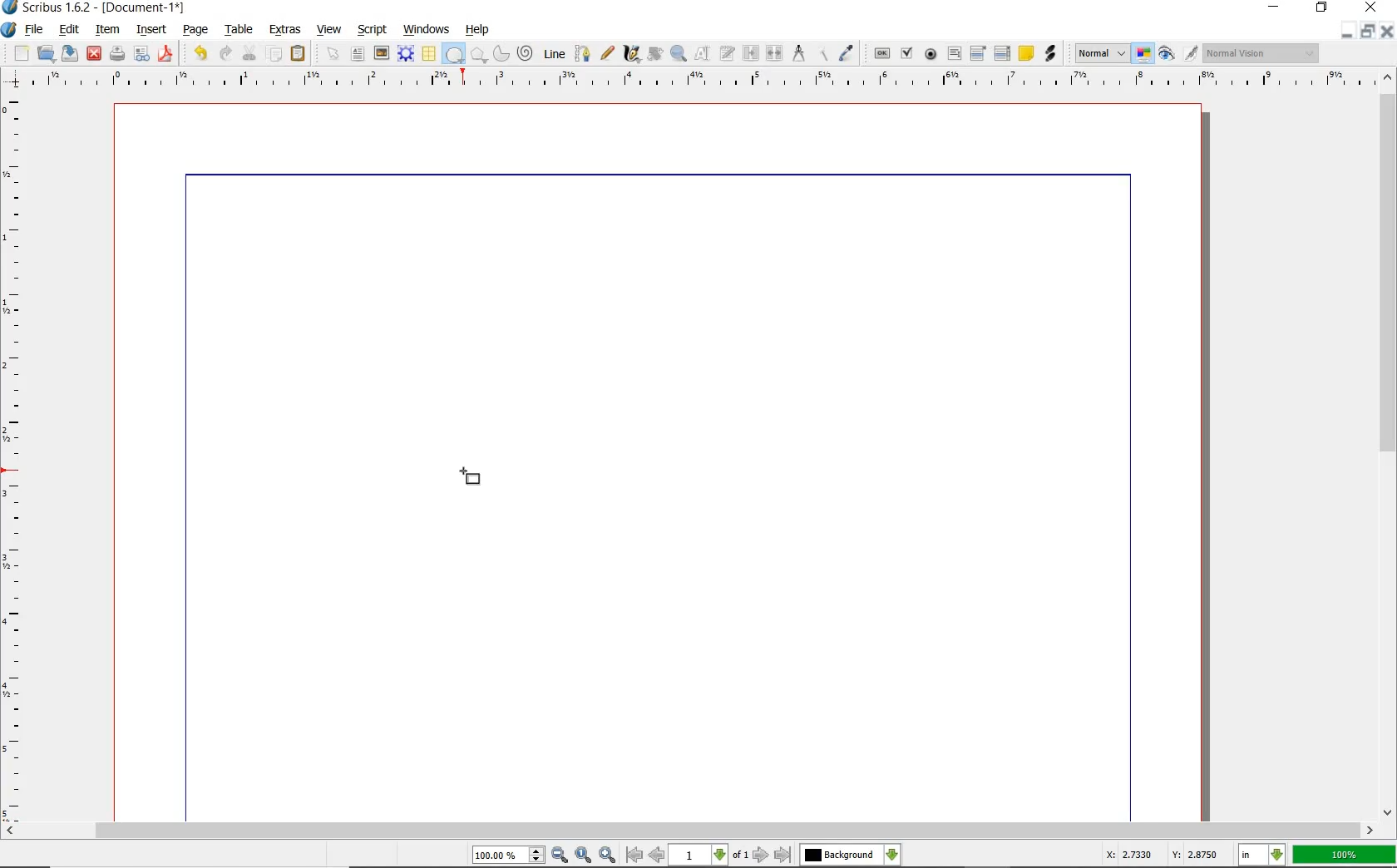 The width and height of the screenshot is (1397, 868). I want to click on OPEN, so click(46, 52).